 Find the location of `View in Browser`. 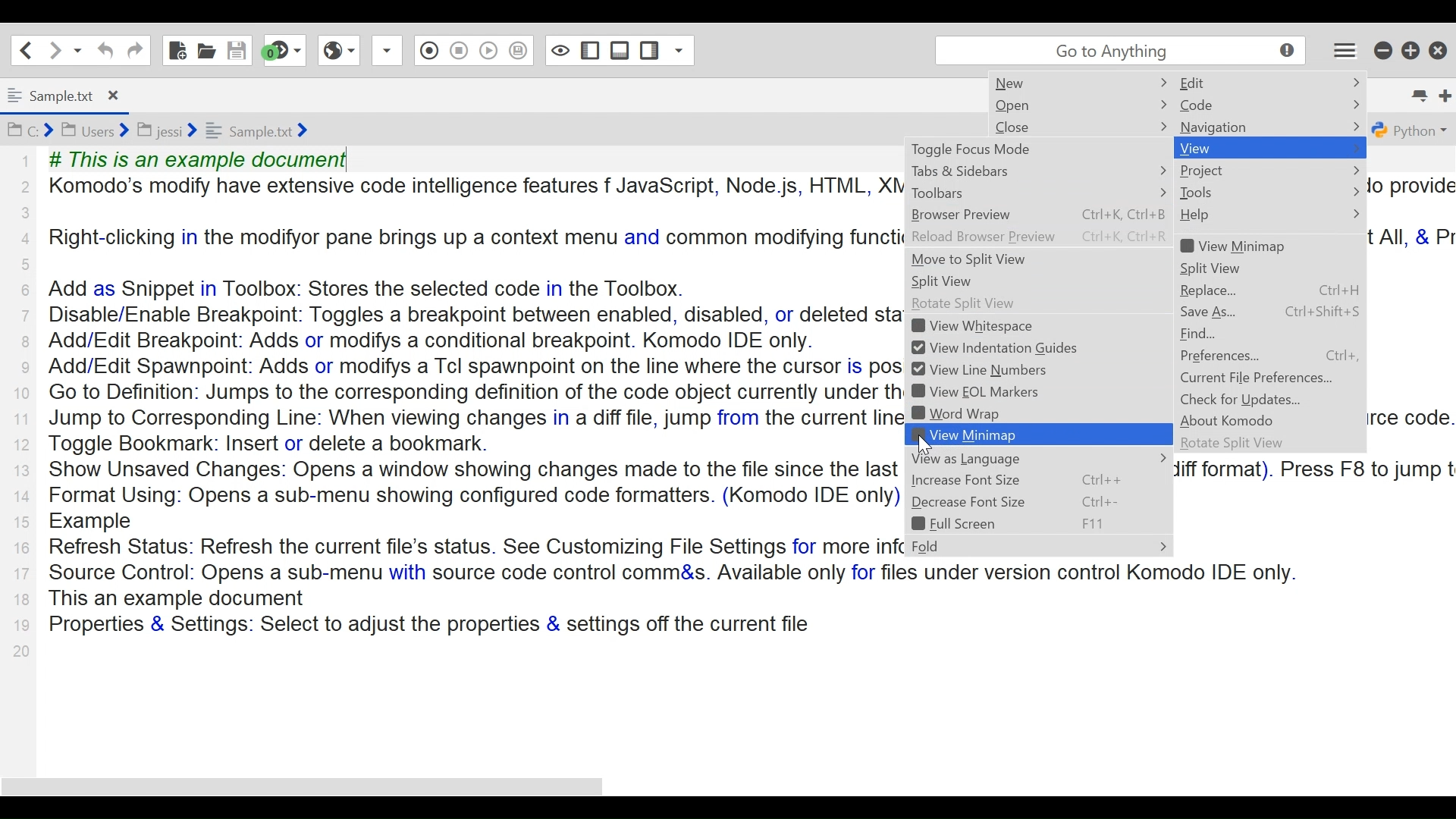

View in Browser is located at coordinates (339, 50).